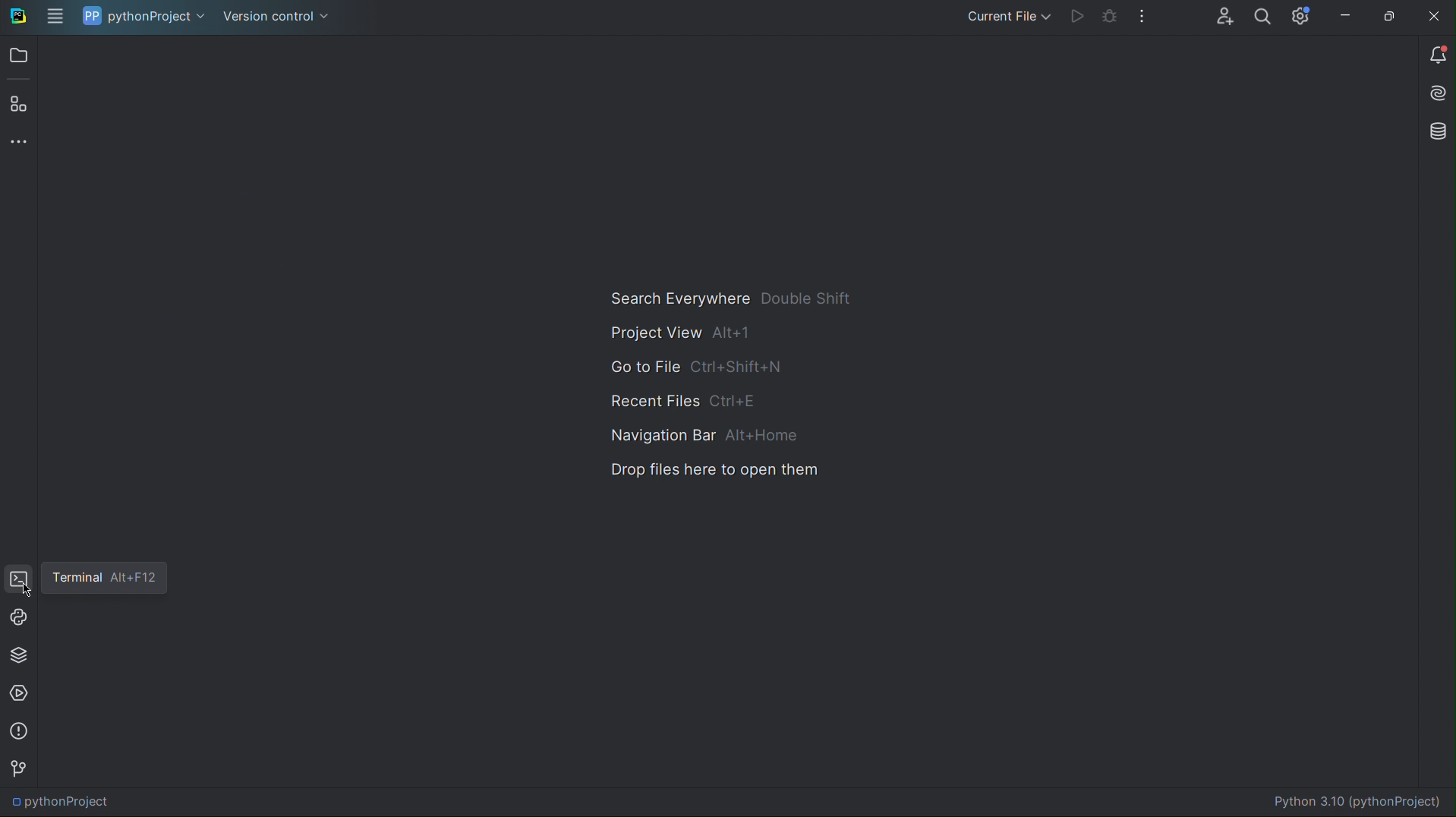 The image size is (1456, 817). I want to click on Terminal, so click(19, 578).